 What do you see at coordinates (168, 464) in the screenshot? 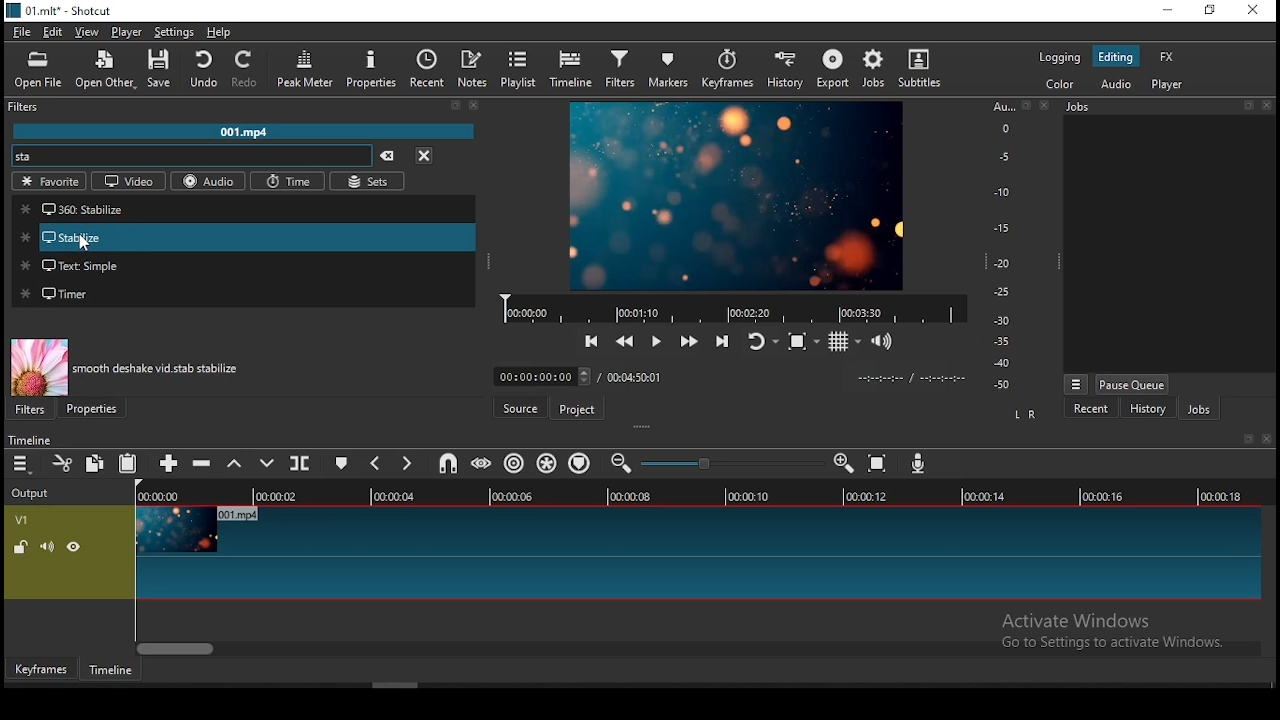
I see `append` at bounding box center [168, 464].